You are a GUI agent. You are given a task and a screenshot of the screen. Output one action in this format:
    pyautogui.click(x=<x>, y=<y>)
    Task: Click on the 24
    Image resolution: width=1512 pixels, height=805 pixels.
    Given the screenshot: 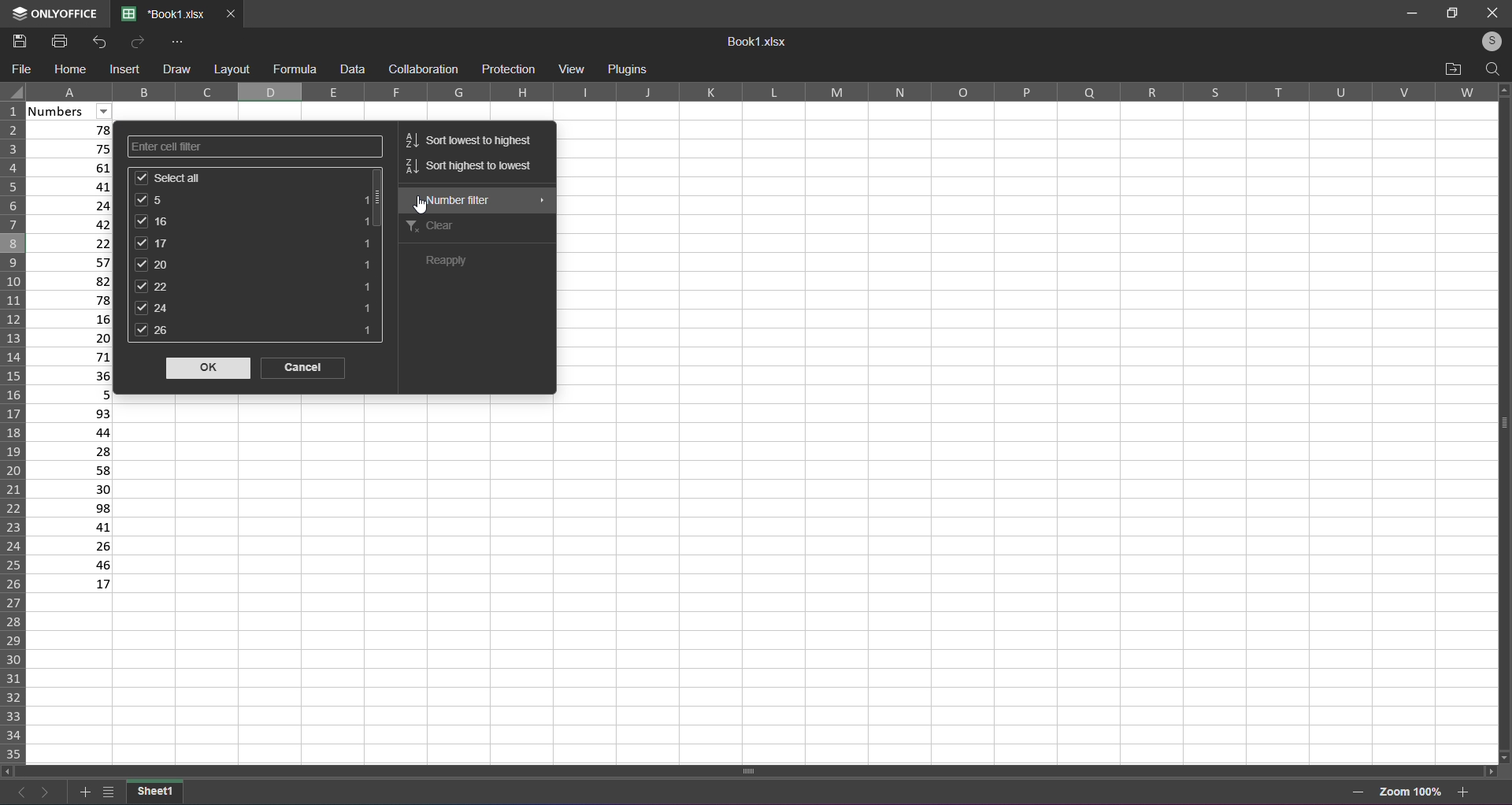 What is the action you would take?
    pyautogui.click(x=73, y=203)
    